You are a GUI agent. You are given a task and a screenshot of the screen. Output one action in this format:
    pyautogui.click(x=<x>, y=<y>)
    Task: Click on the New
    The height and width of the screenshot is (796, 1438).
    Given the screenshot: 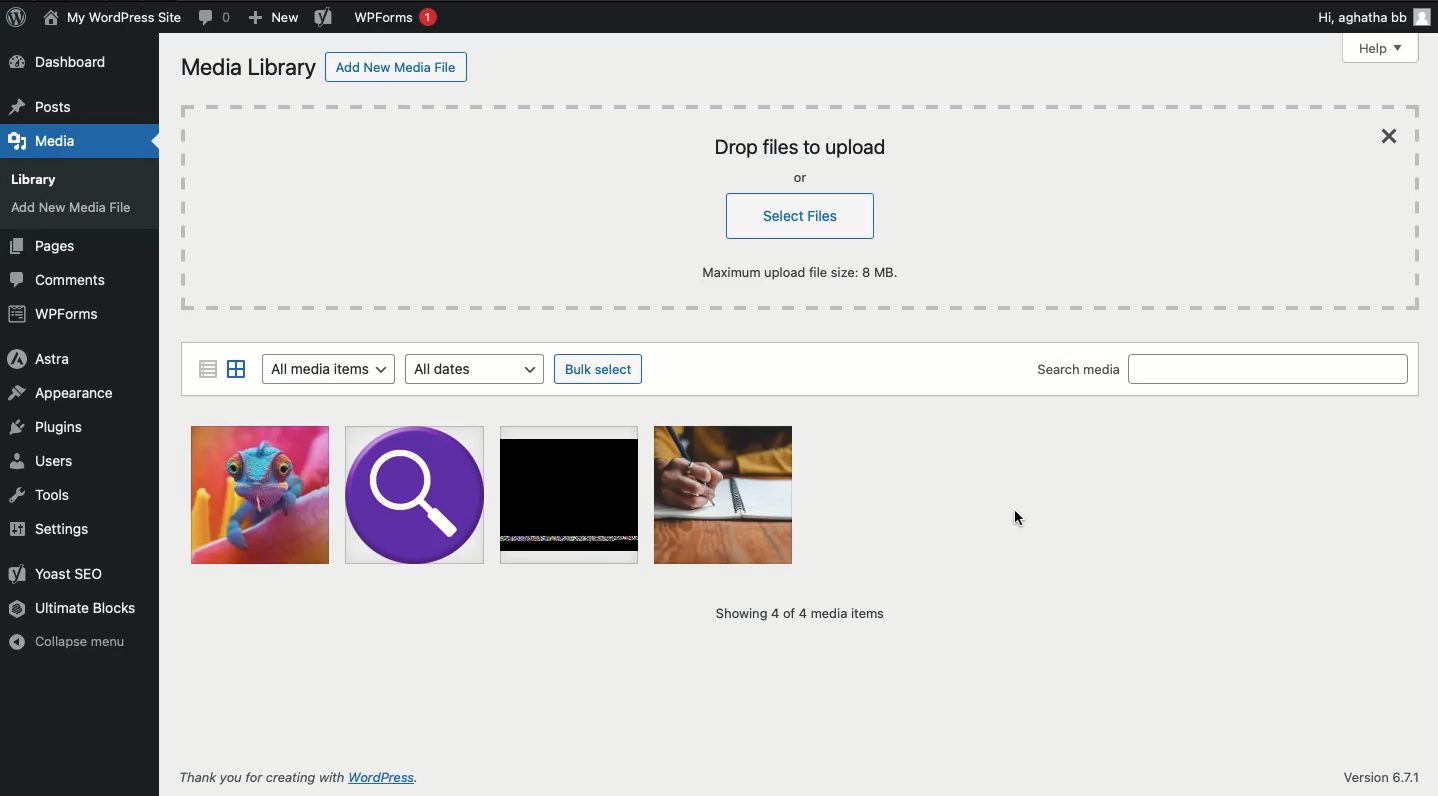 What is the action you would take?
    pyautogui.click(x=275, y=20)
    